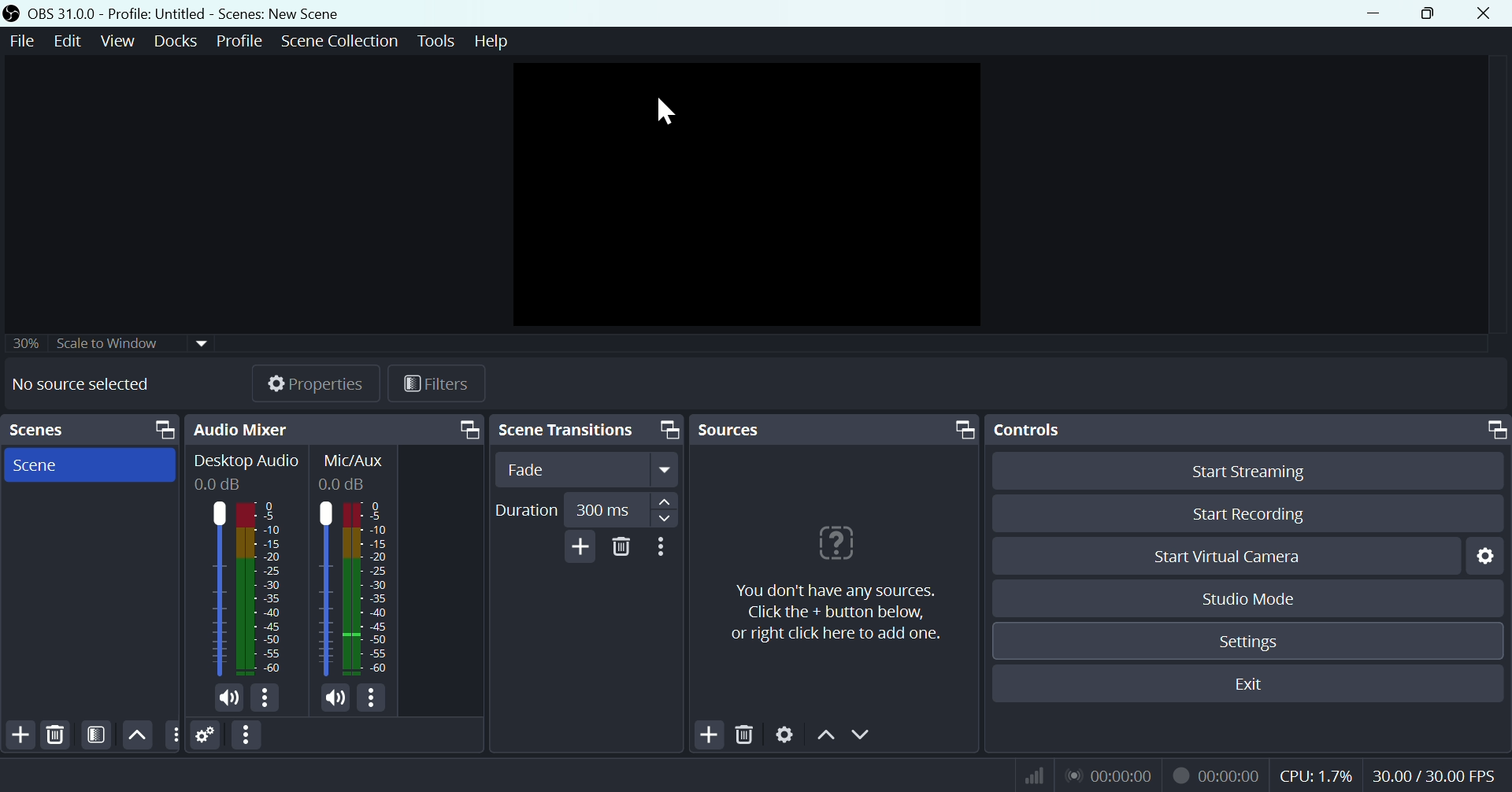  I want to click on more options, so click(266, 698).